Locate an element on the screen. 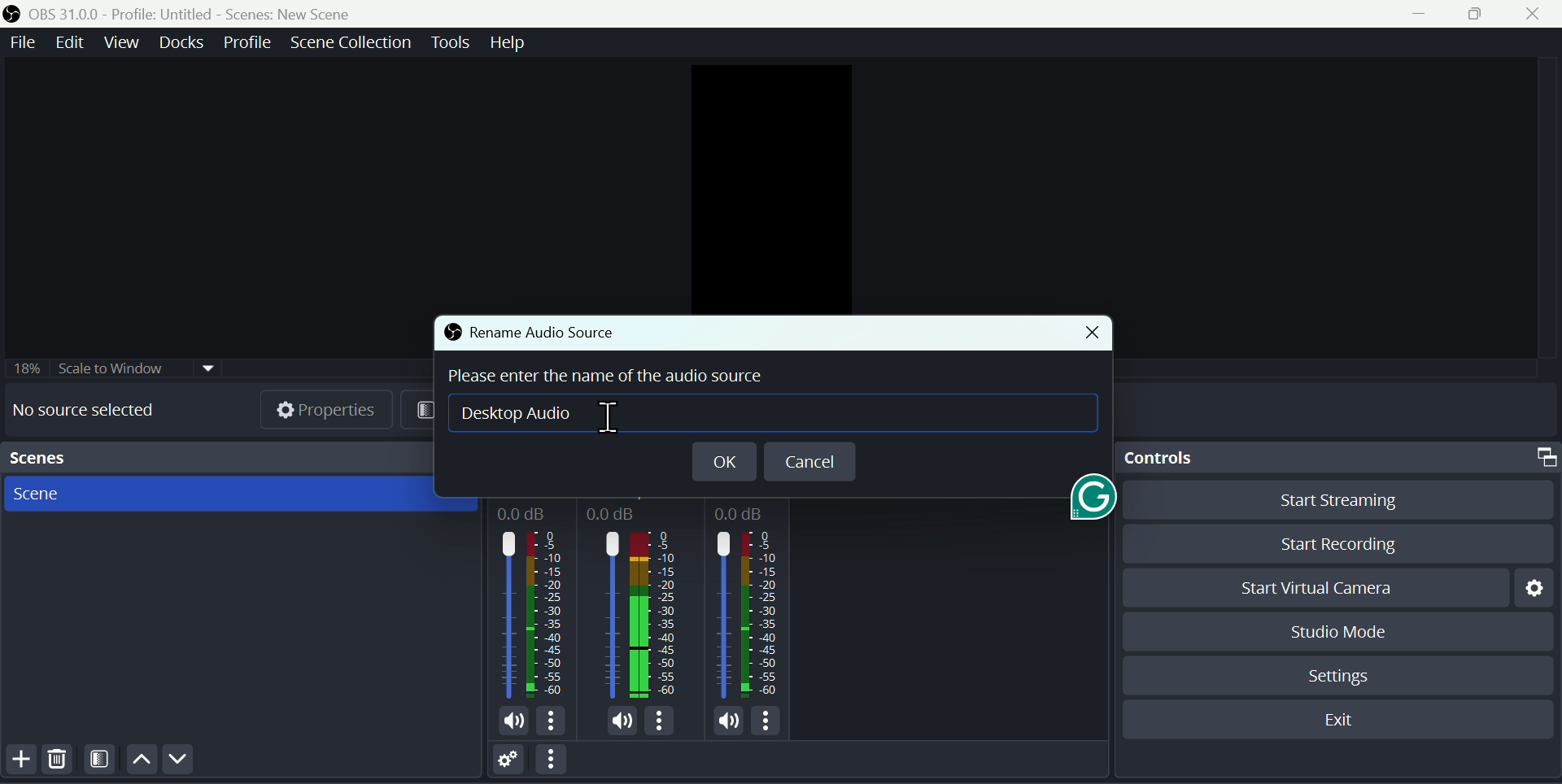 This screenshot has height=784, width=1562. File is located at coordinates (24, 42).